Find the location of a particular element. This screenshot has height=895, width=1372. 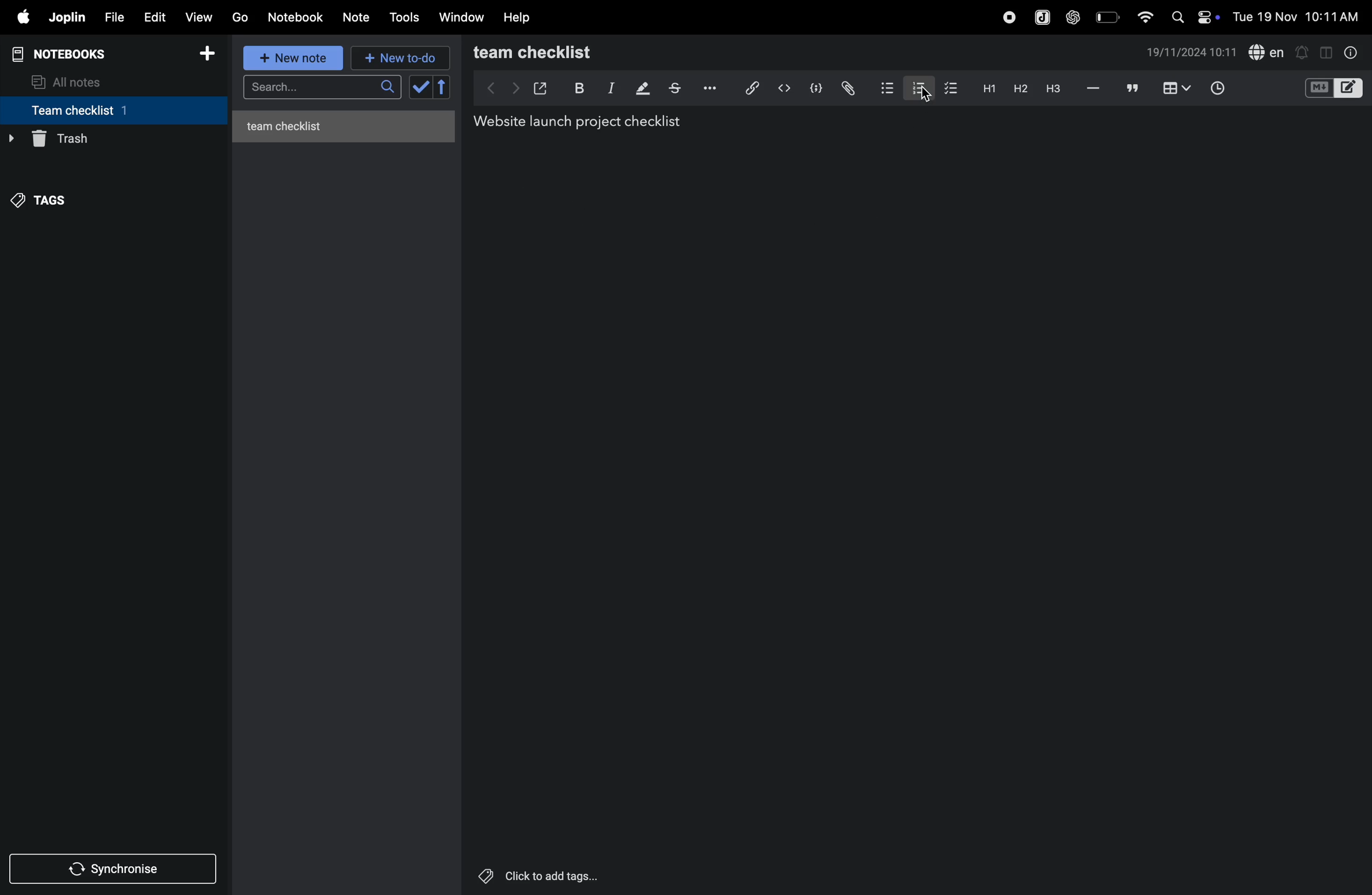

attach file is located at coordinates (847, 88).